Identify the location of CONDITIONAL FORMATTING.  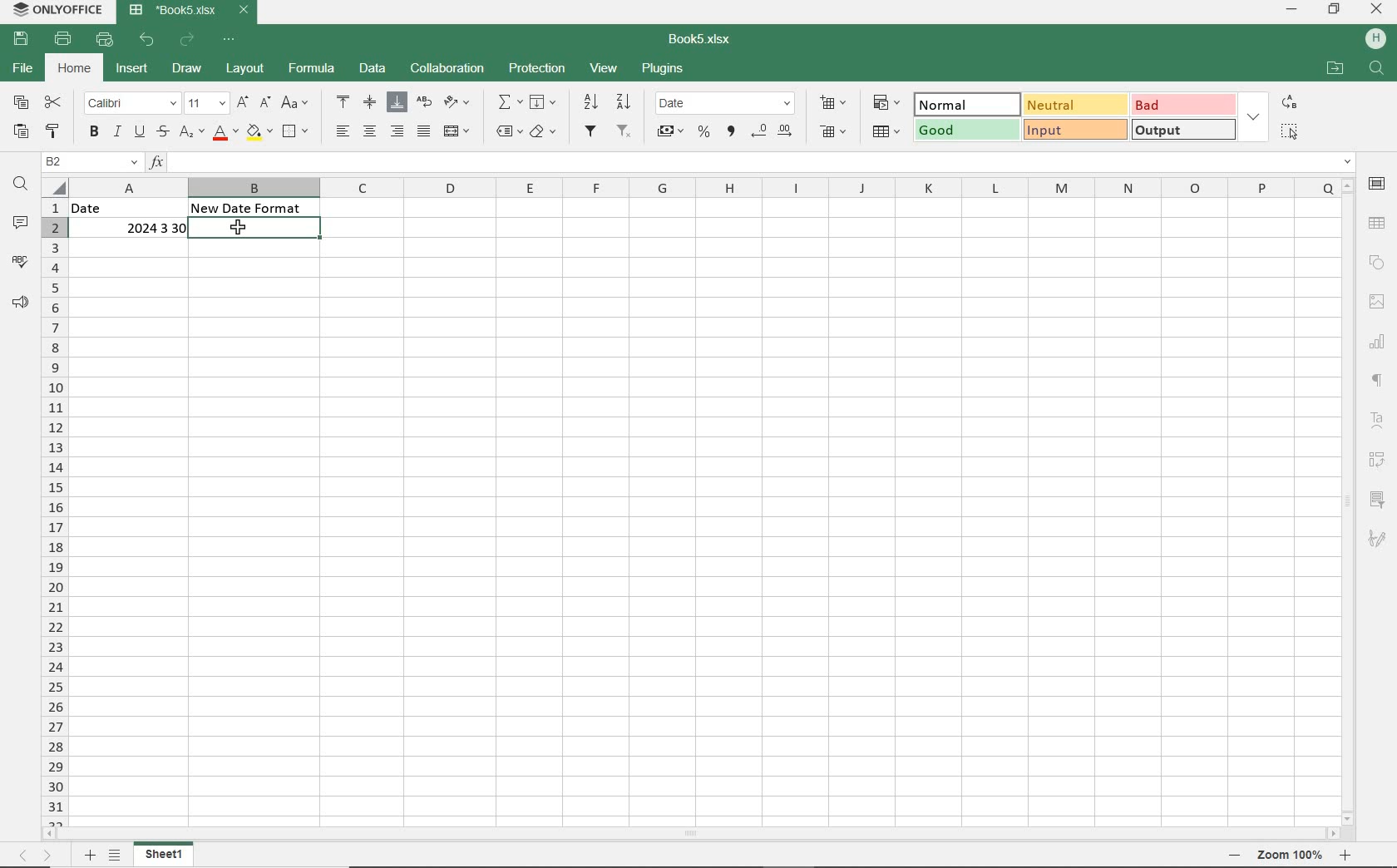
(885, 103).